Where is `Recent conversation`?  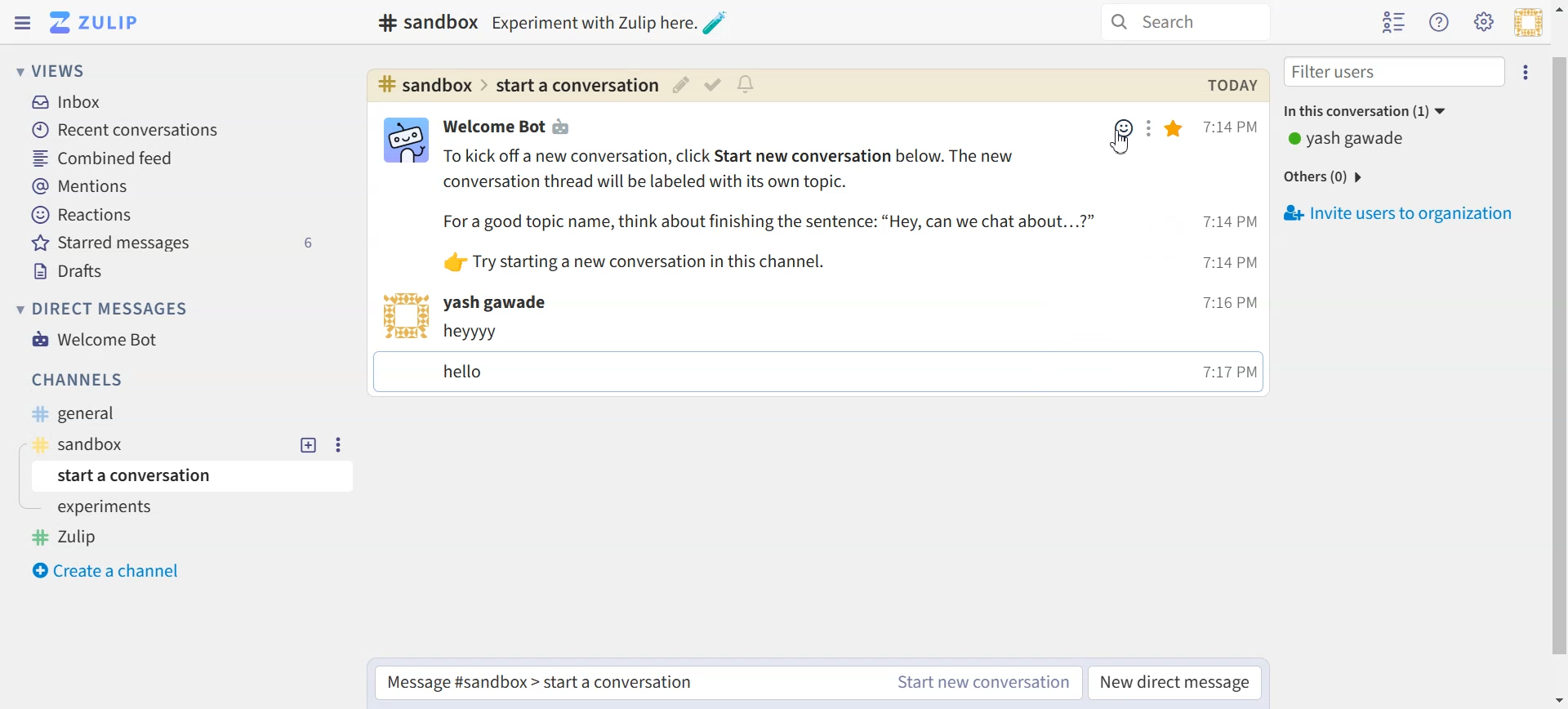
Recent conversation is located at coordinates (124, 130).